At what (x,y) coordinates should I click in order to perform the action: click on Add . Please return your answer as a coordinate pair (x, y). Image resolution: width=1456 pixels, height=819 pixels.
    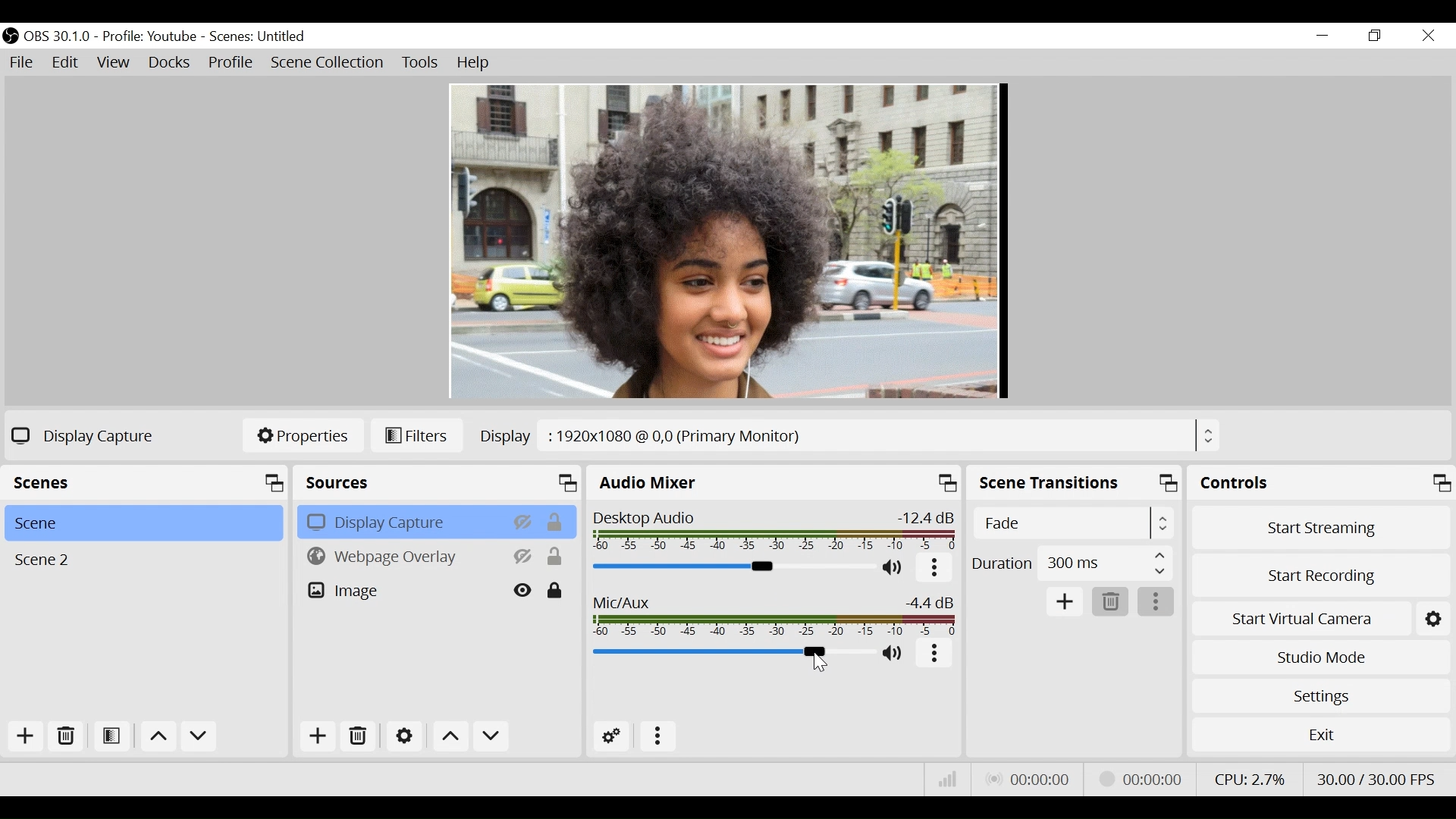
    Looking at the image, I should click on (1066, 601).